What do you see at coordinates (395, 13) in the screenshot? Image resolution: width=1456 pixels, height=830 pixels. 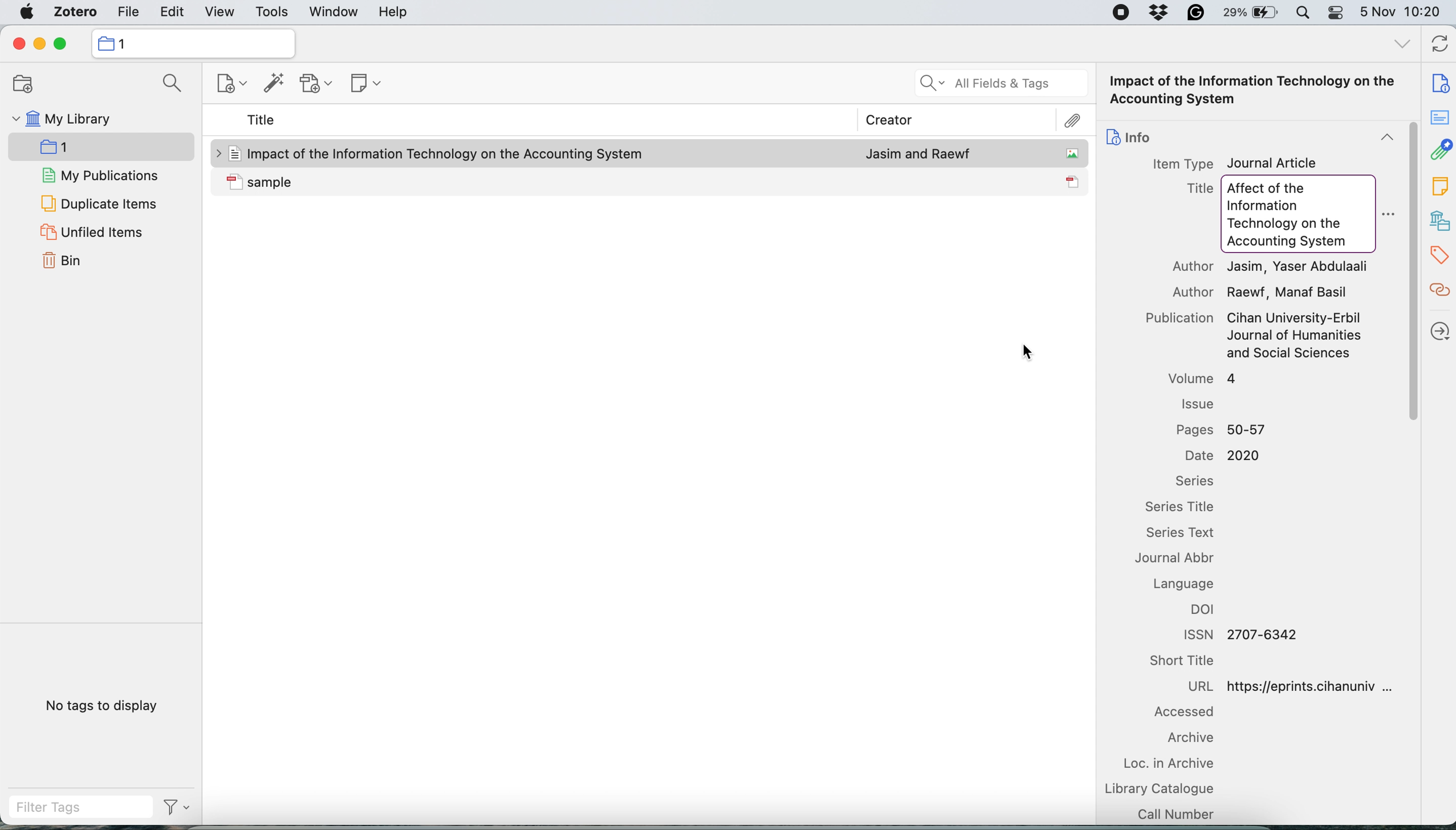 I see `help` at bounding box center [395, 13].